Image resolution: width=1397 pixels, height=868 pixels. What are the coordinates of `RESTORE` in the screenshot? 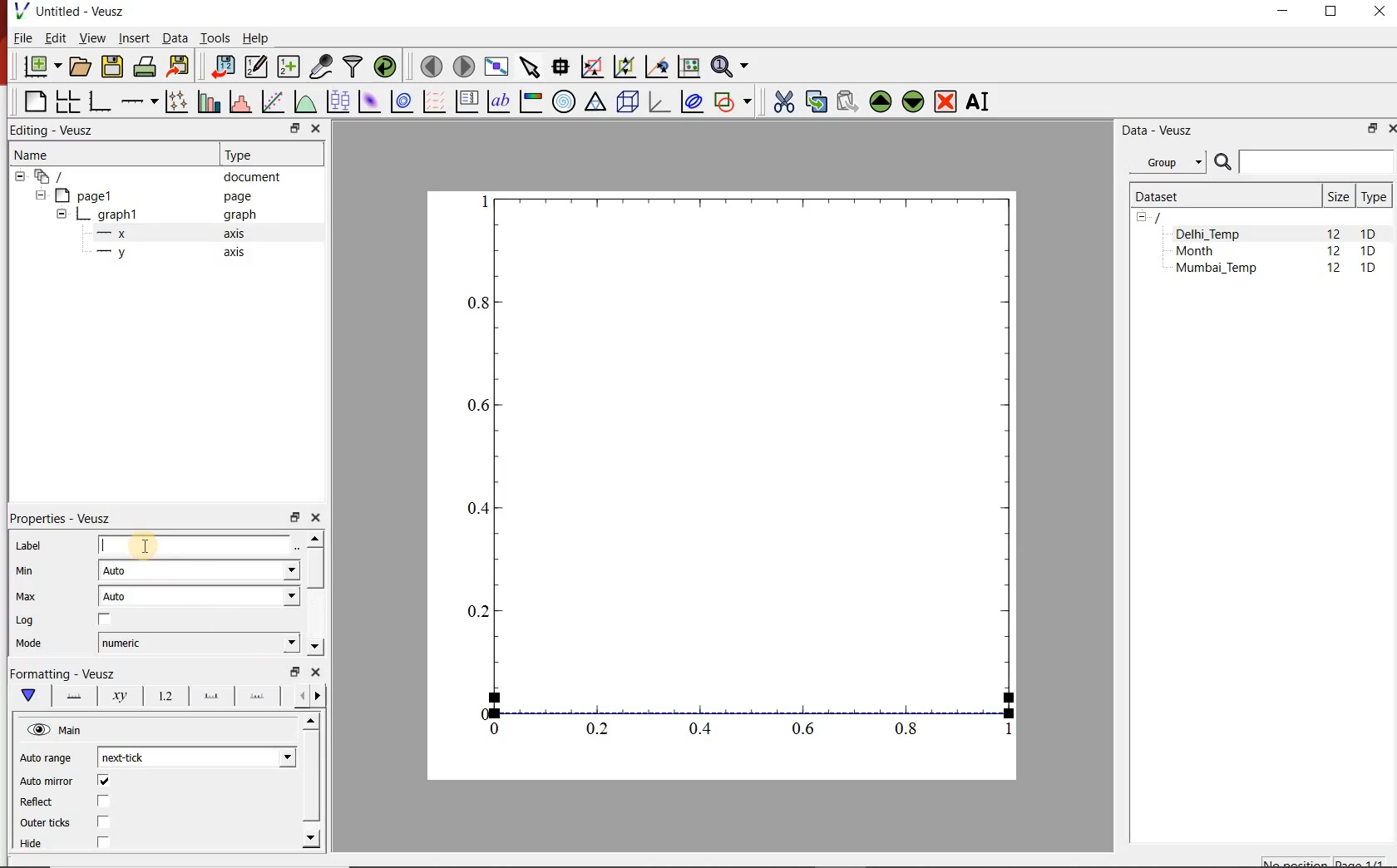 It's located at (1331, 12).